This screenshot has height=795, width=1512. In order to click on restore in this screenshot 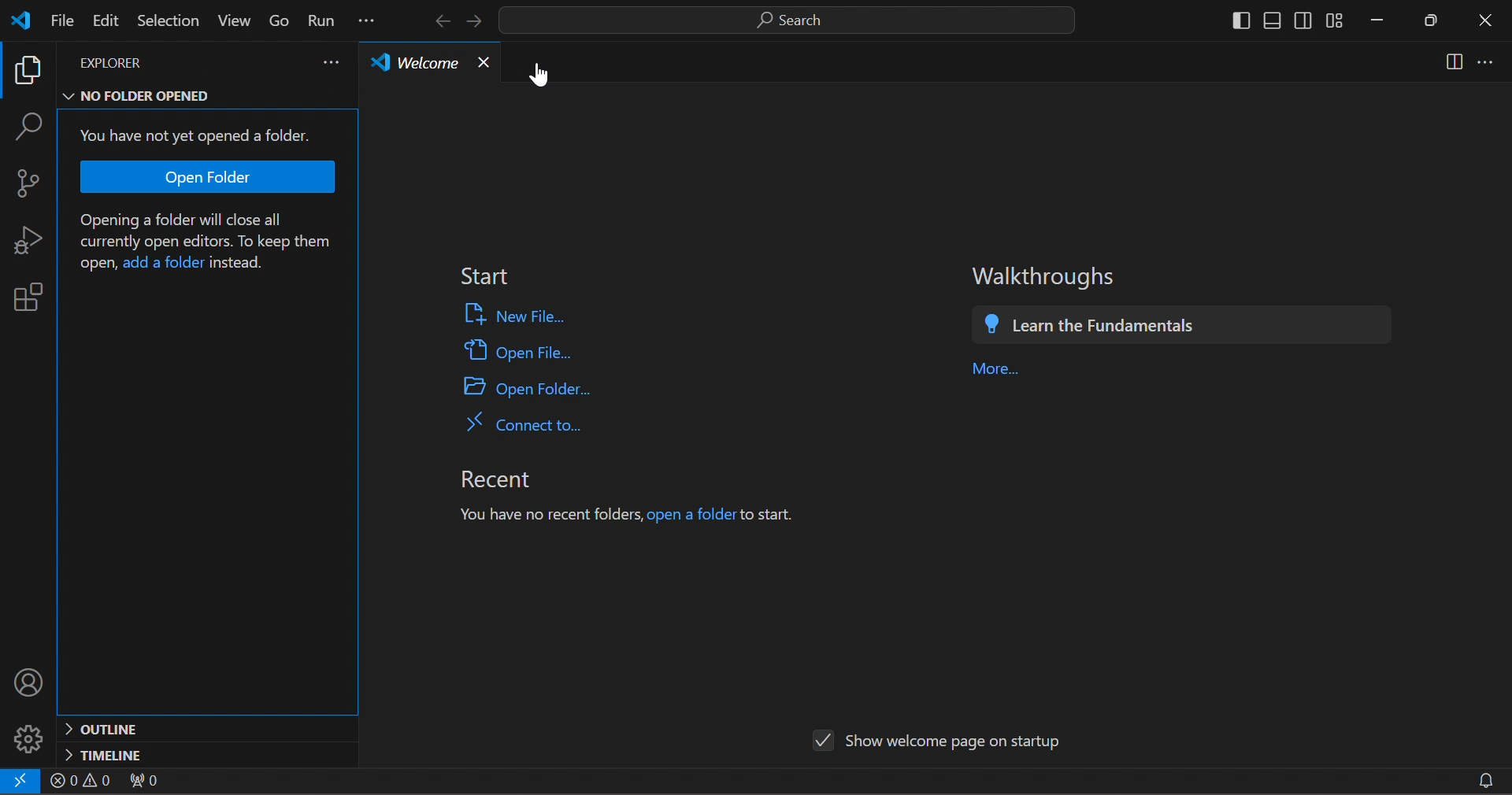, I will do `click(1438, 20)`.